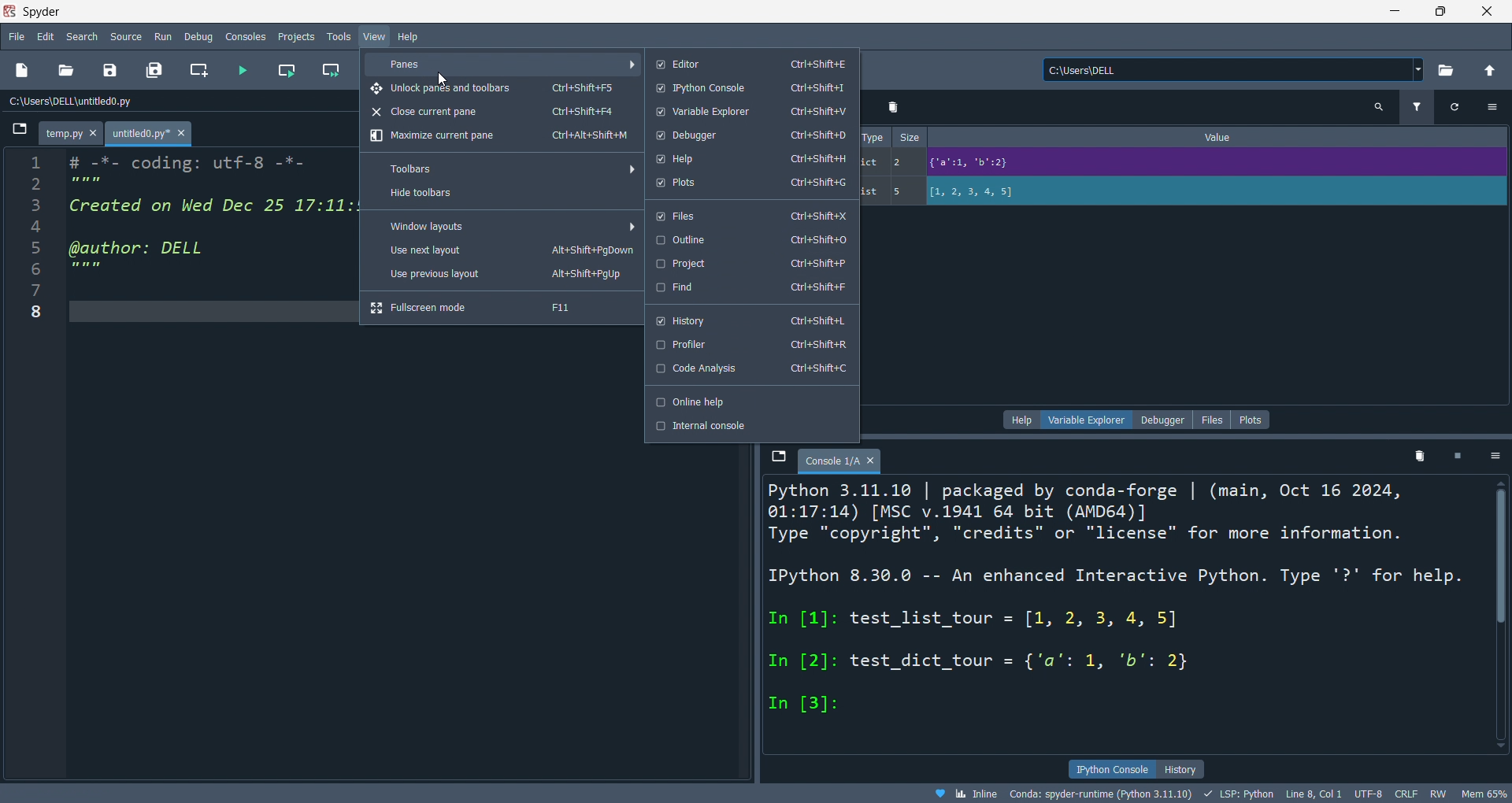 The image size is (1512, 803). Describe the element at coordinates (1211, 420) in the screenshot. I see `files` at that location.